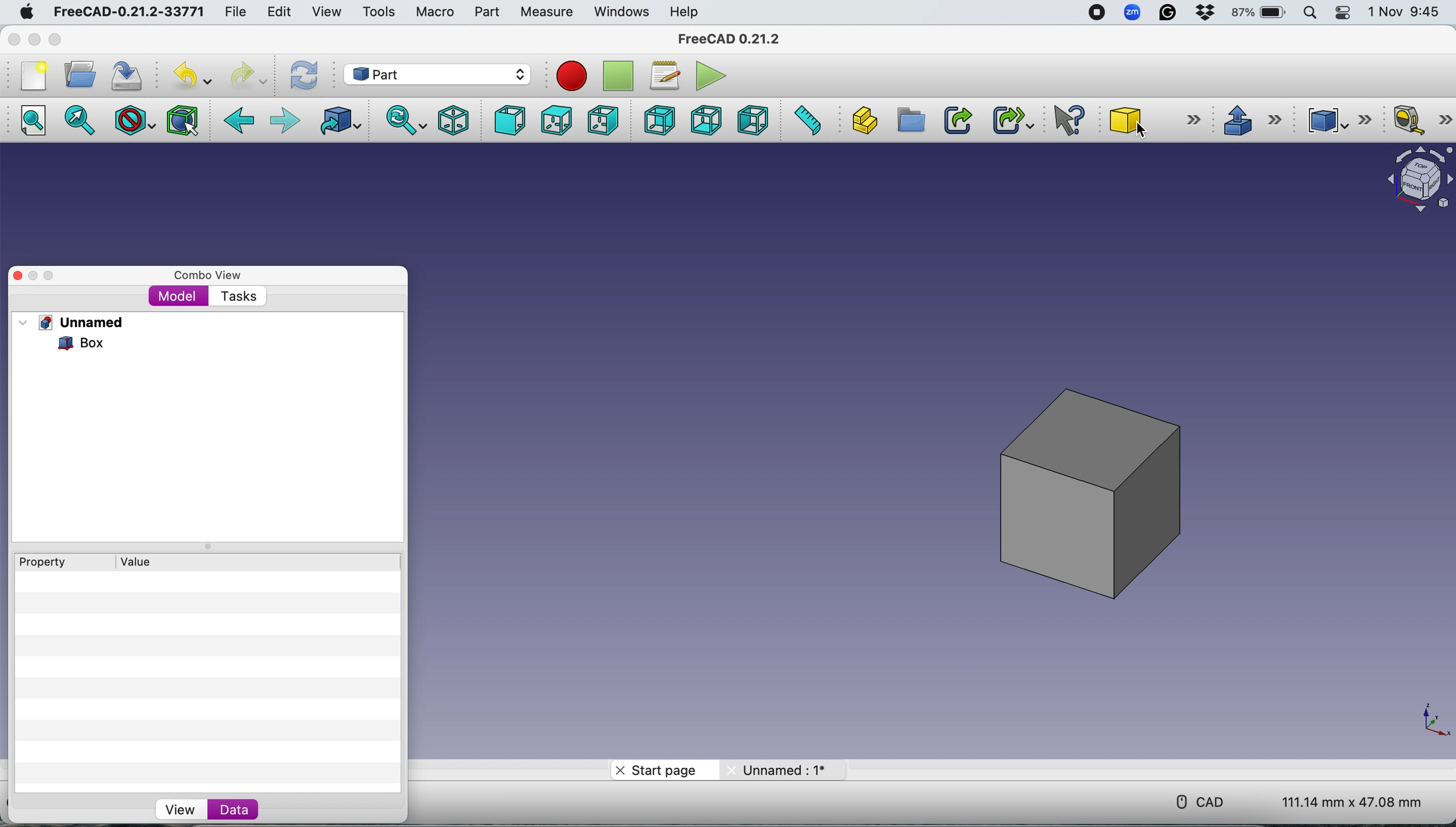 This screenshot has width=1456, height=827. Describe the element at coordinates (1422, 122) in the screenshot. I see `Measure linear` at that location.